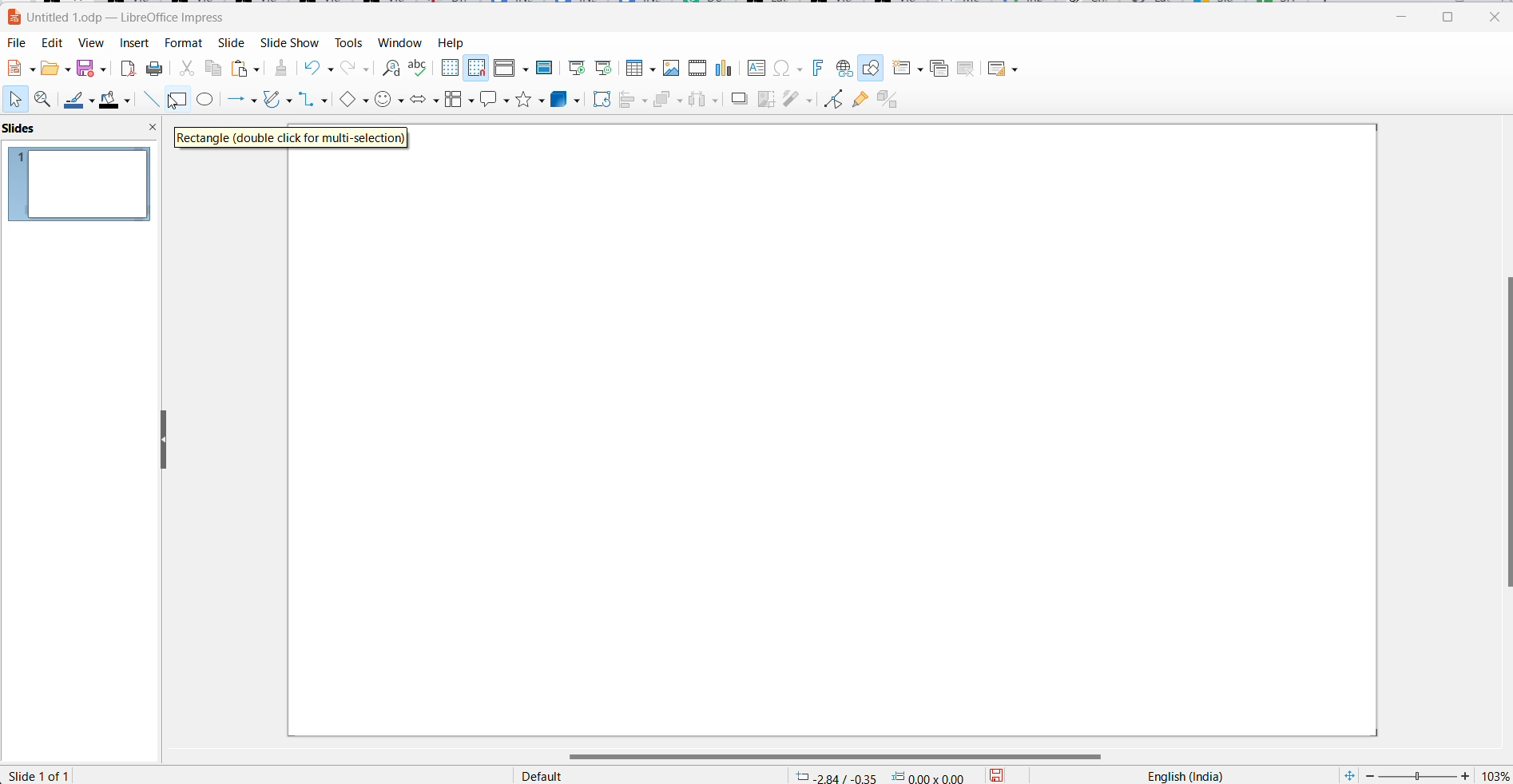  Describe the element at coordinates (1417, 775) in the screenshot. I see `zoom slider` at that location.